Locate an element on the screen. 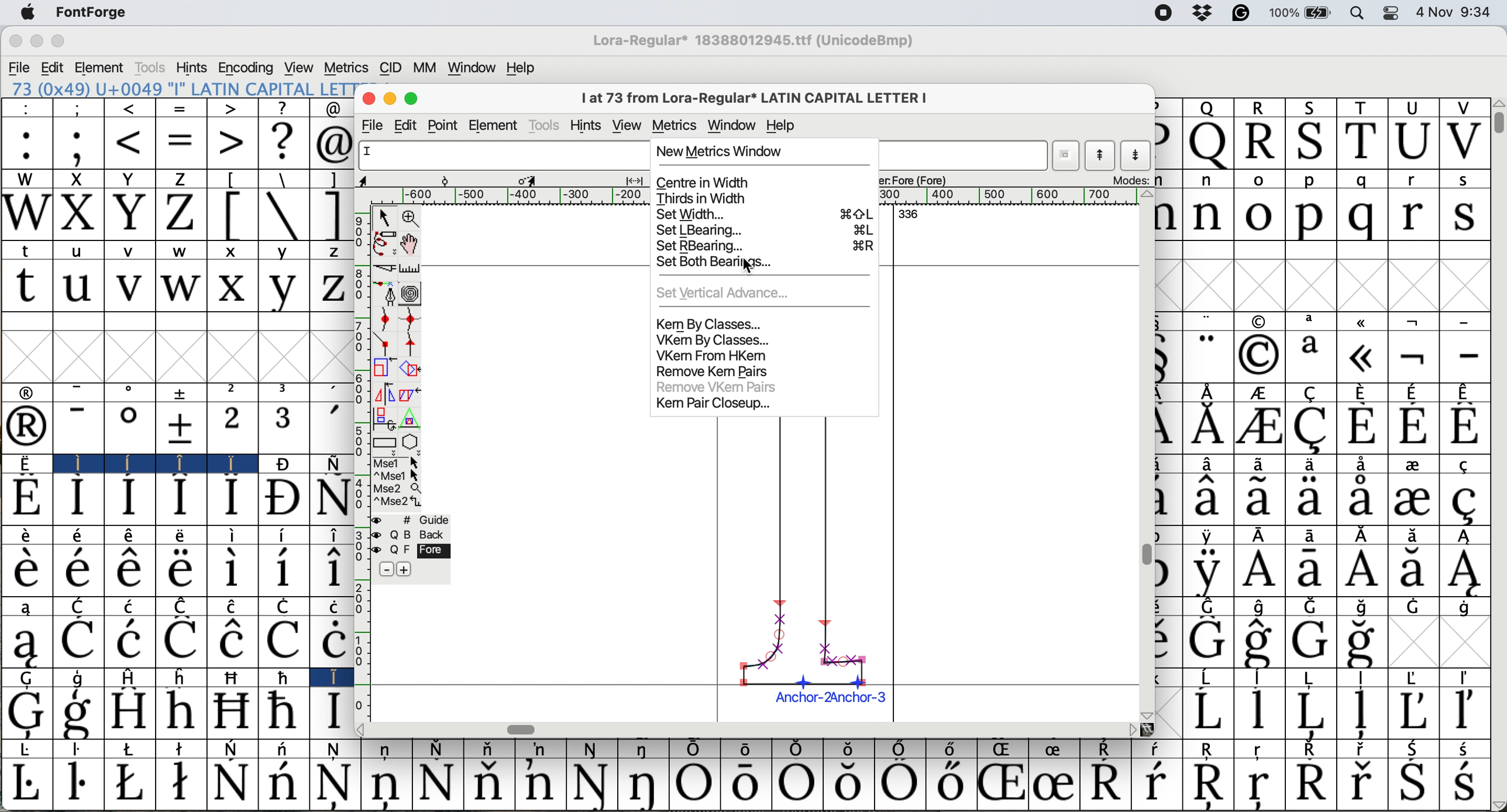 Image resolution: width=1507 pixels, height=812 pixels. Symbol is located at coordinates (694, 785).